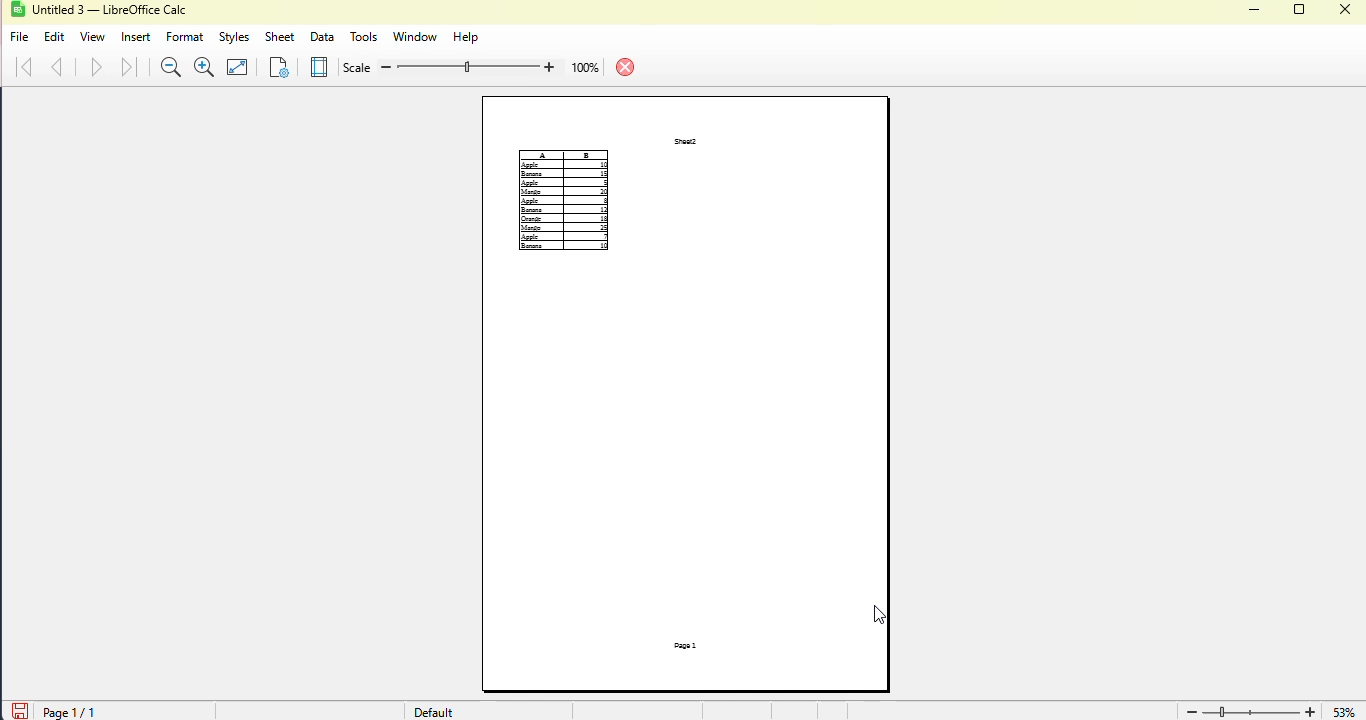 This screenshot has height=720, width=1366. What do you see at coordinates (428, 711) in the screenshot?
I see `Default` at bounding box center [428, 711].